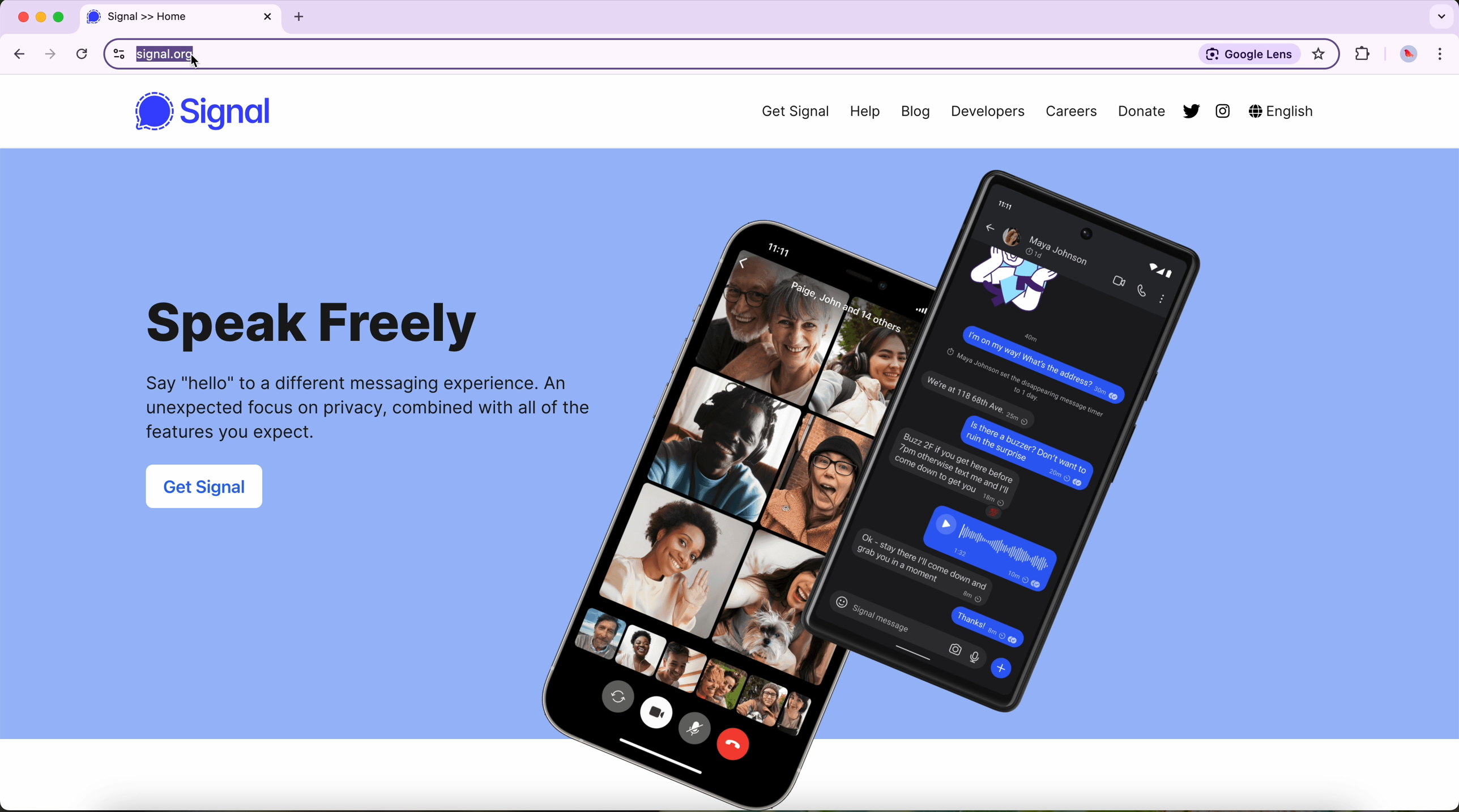  What do you see at coordinates (1440, 15) in the screenshot?
I see `search tabs` at bounding box center [1440, 15].